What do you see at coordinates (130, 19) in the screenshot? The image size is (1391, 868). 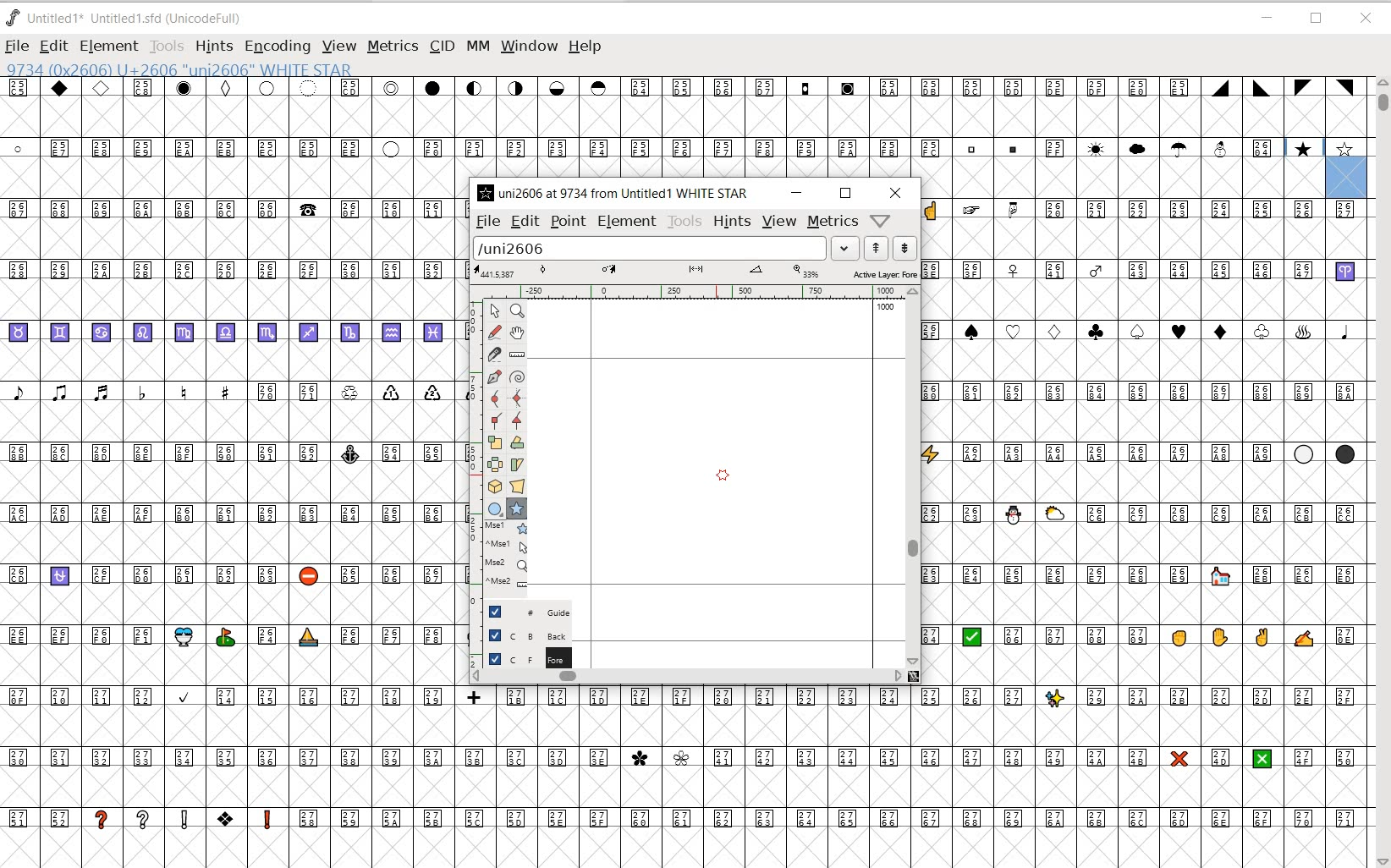 I see `Untitled 1* Untitled 1.sfd (UnicodeFull)` at bounding box center [130, 19].